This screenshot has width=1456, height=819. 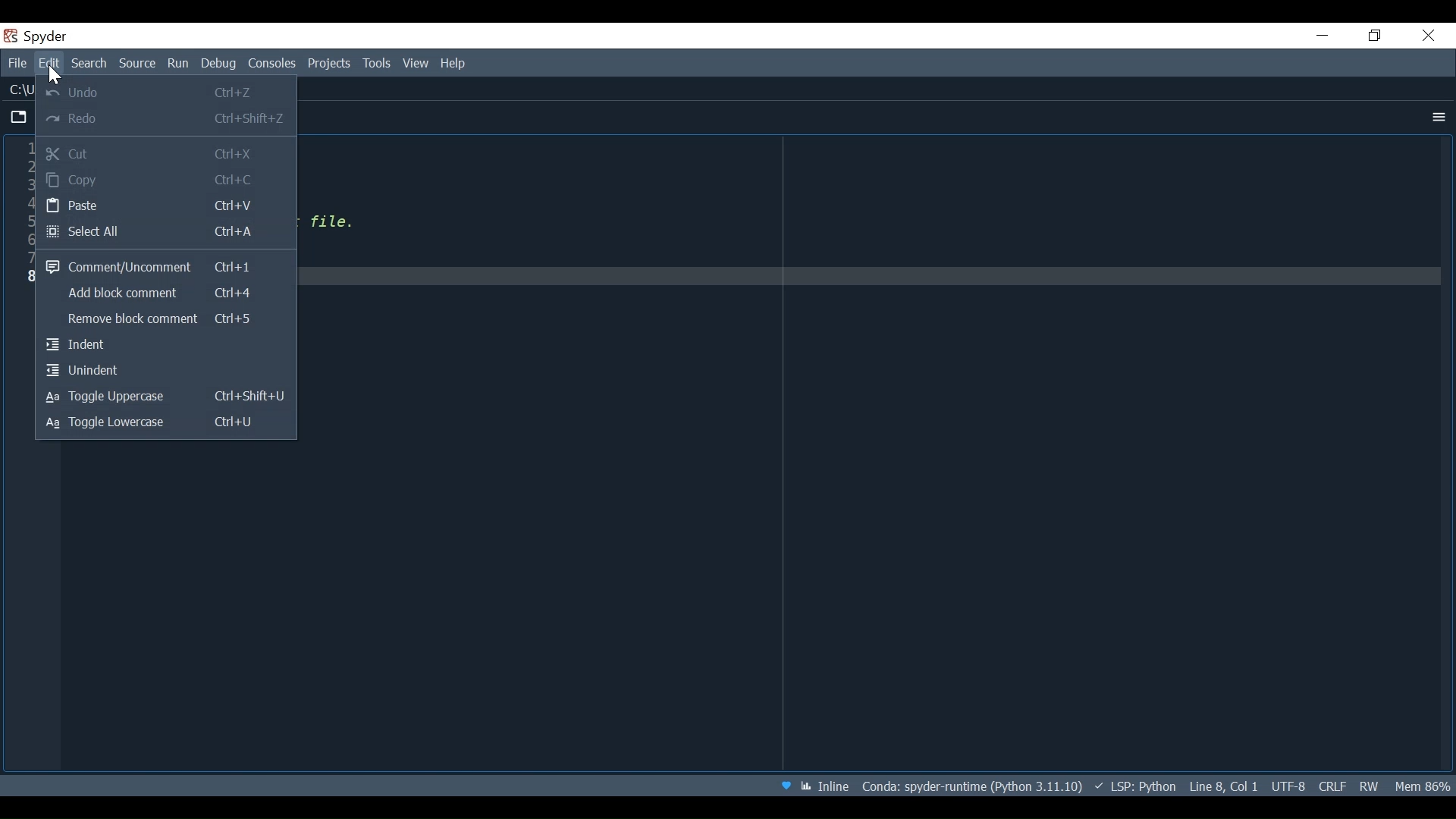 What do you see at coordinates (330, 65) in the screenshot?
I see `Projects` at bounding box center [330, 65].